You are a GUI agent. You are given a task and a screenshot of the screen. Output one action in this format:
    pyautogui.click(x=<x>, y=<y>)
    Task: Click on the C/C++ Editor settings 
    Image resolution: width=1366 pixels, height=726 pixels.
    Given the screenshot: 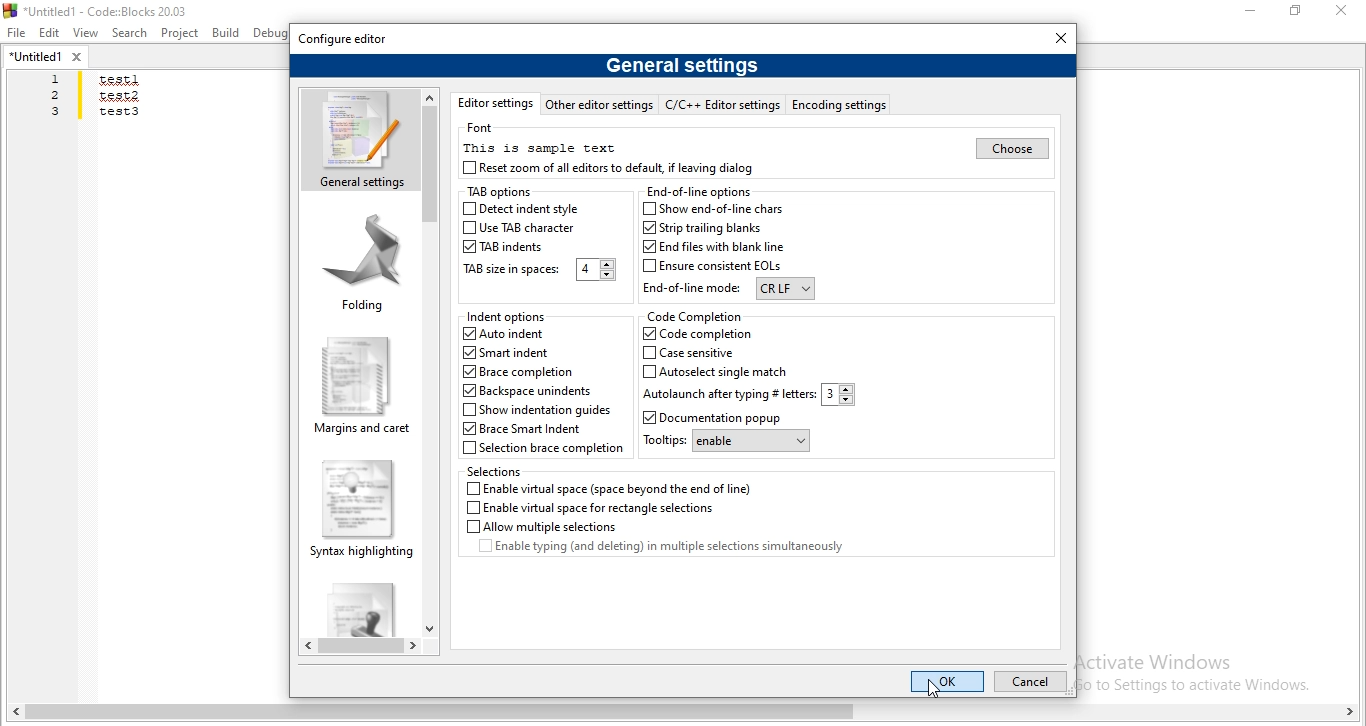 What is the action you would take?
    pyautogui.click(x=725, y=104)
    